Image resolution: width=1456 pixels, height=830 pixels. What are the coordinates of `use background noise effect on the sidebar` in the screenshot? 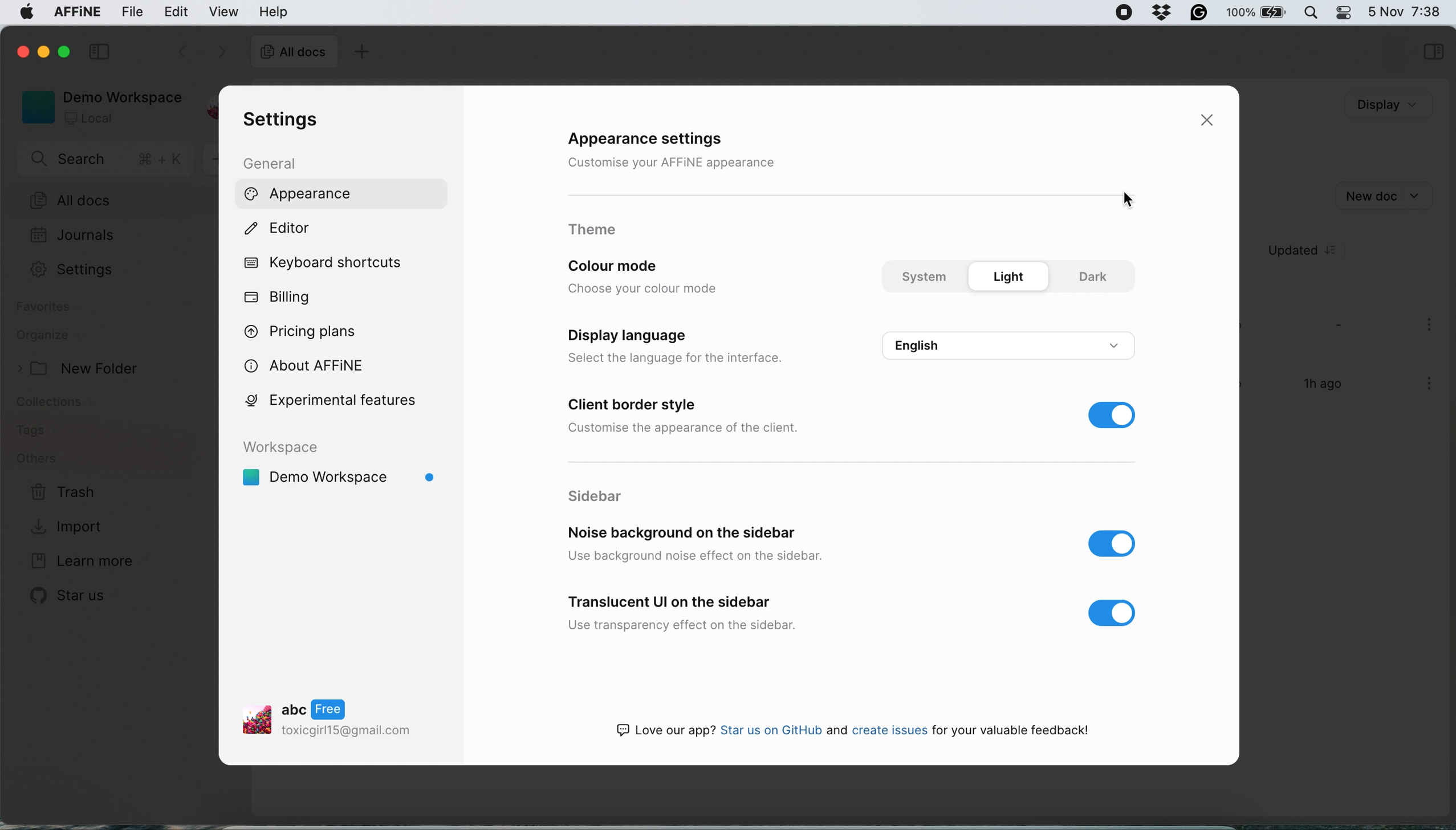 It's located at (694, 556).